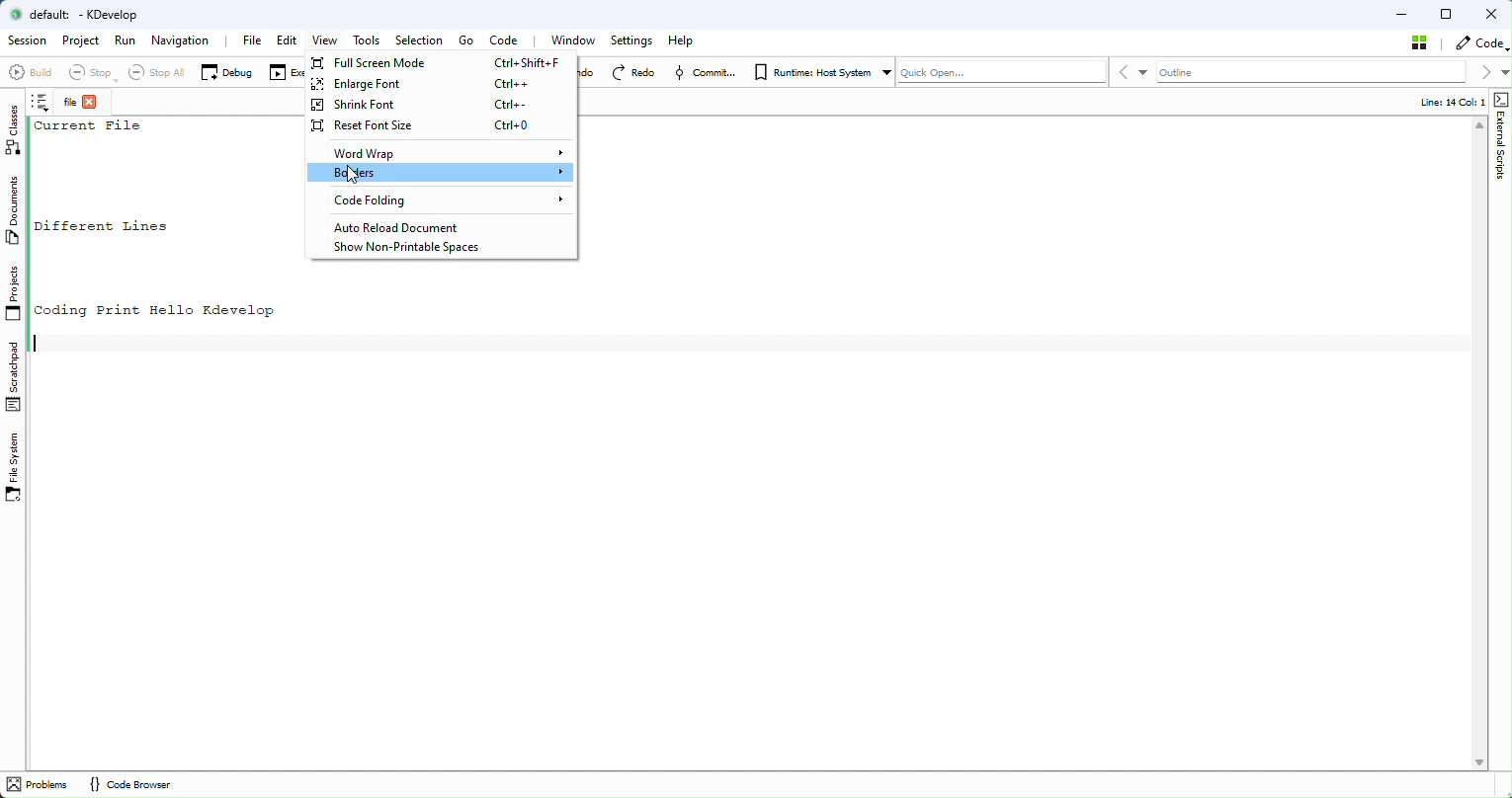 The width and height of the screenshot is (1512, 798). What do you see at coordinates (441, 173) in the screenshot?
I see `Borders` at bounding box center [441, 173].